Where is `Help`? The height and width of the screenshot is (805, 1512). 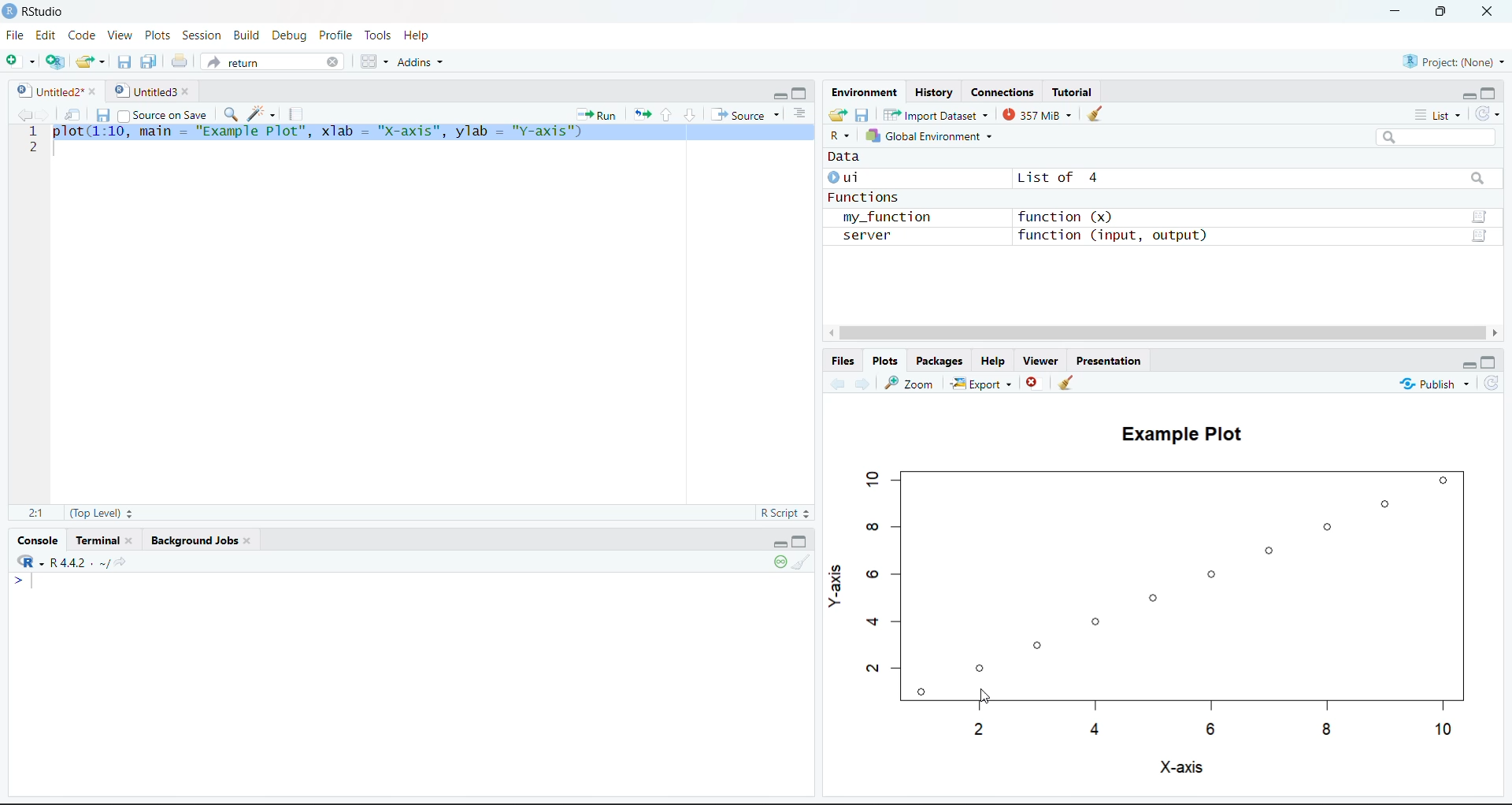
Help is located at coordinates (418, 35).